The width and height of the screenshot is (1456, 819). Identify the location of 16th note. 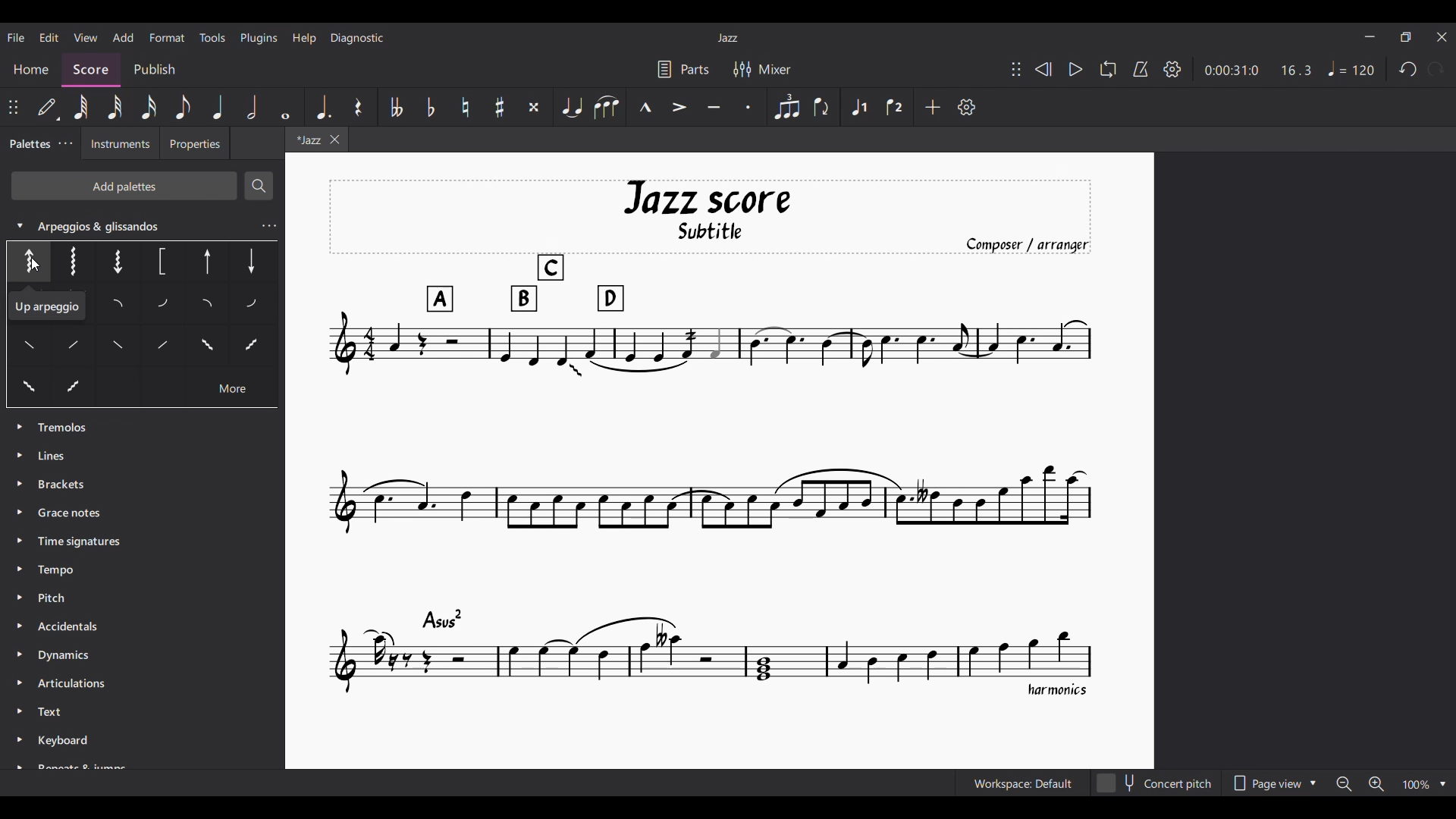
(147, 105).